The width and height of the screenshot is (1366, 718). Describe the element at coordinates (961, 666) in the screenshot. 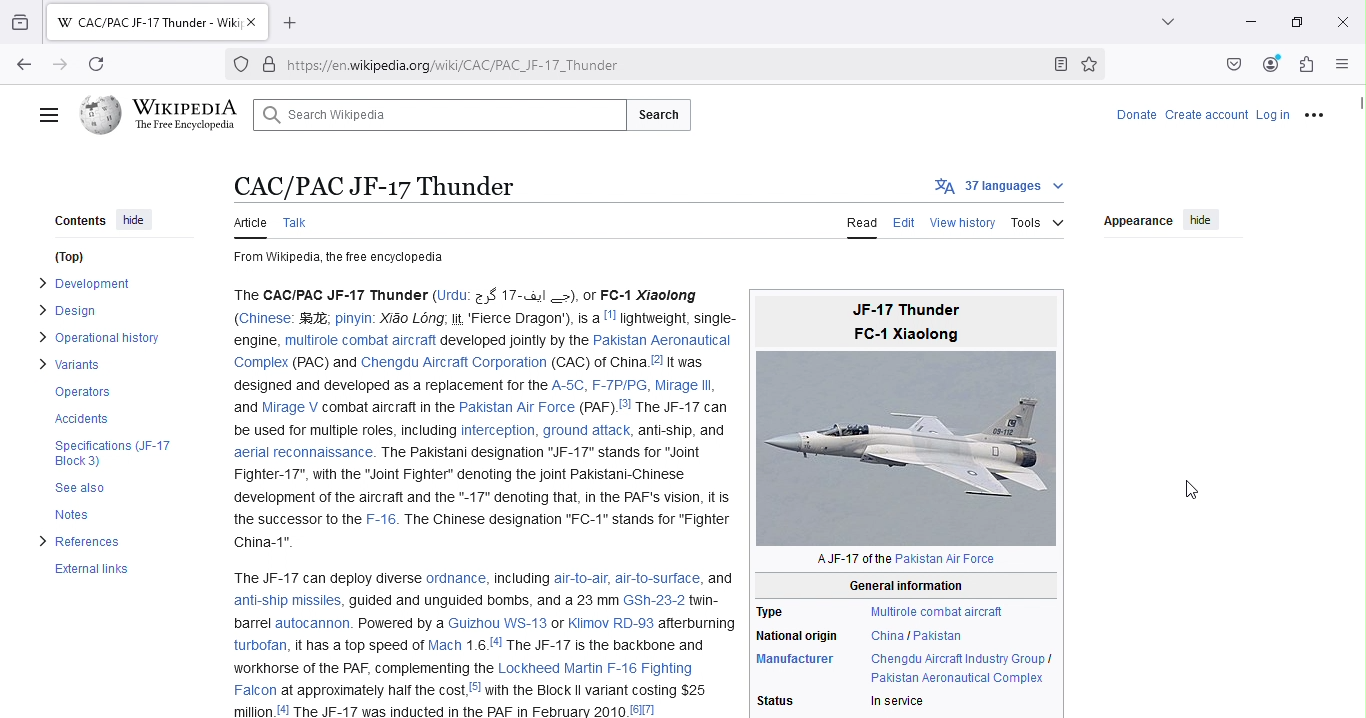

I see `Chengdu Aircraft Industry Group /
Pakistan Aeronautical Complex` at that location.